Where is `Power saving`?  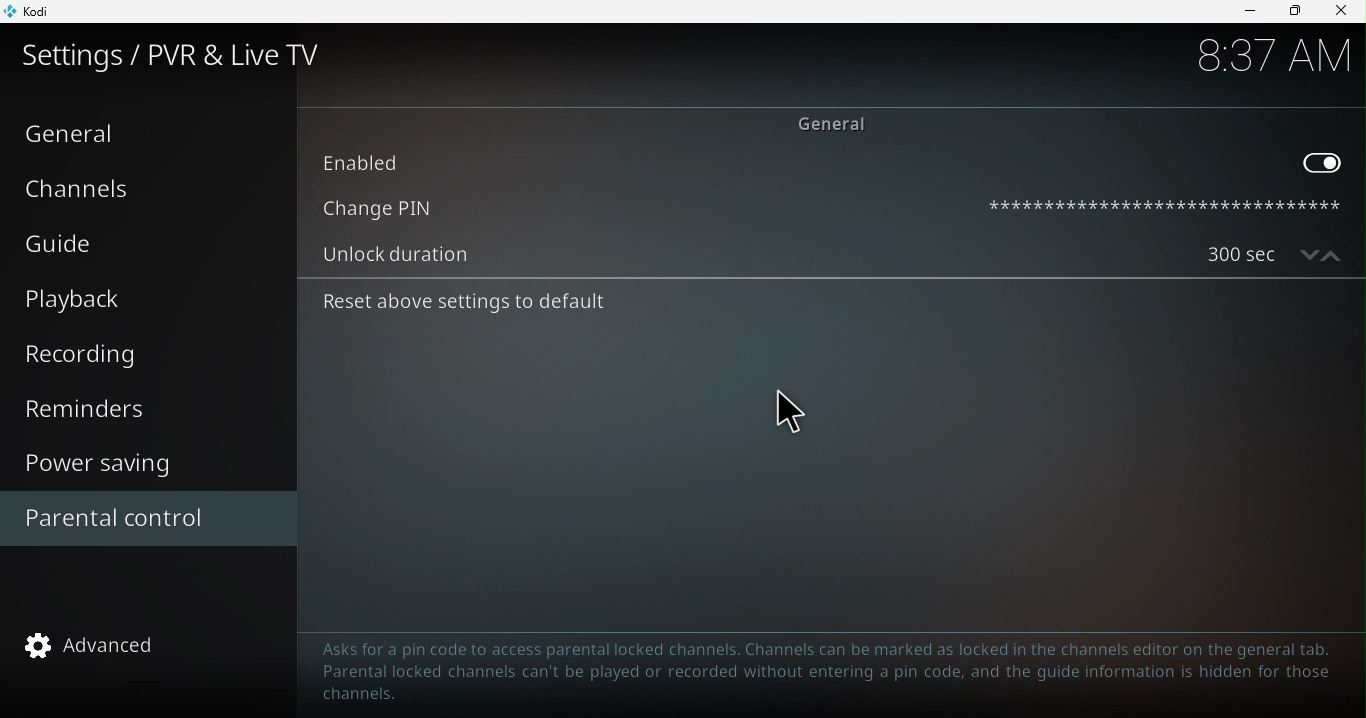
Power saving is located at coordinates (149, 464).